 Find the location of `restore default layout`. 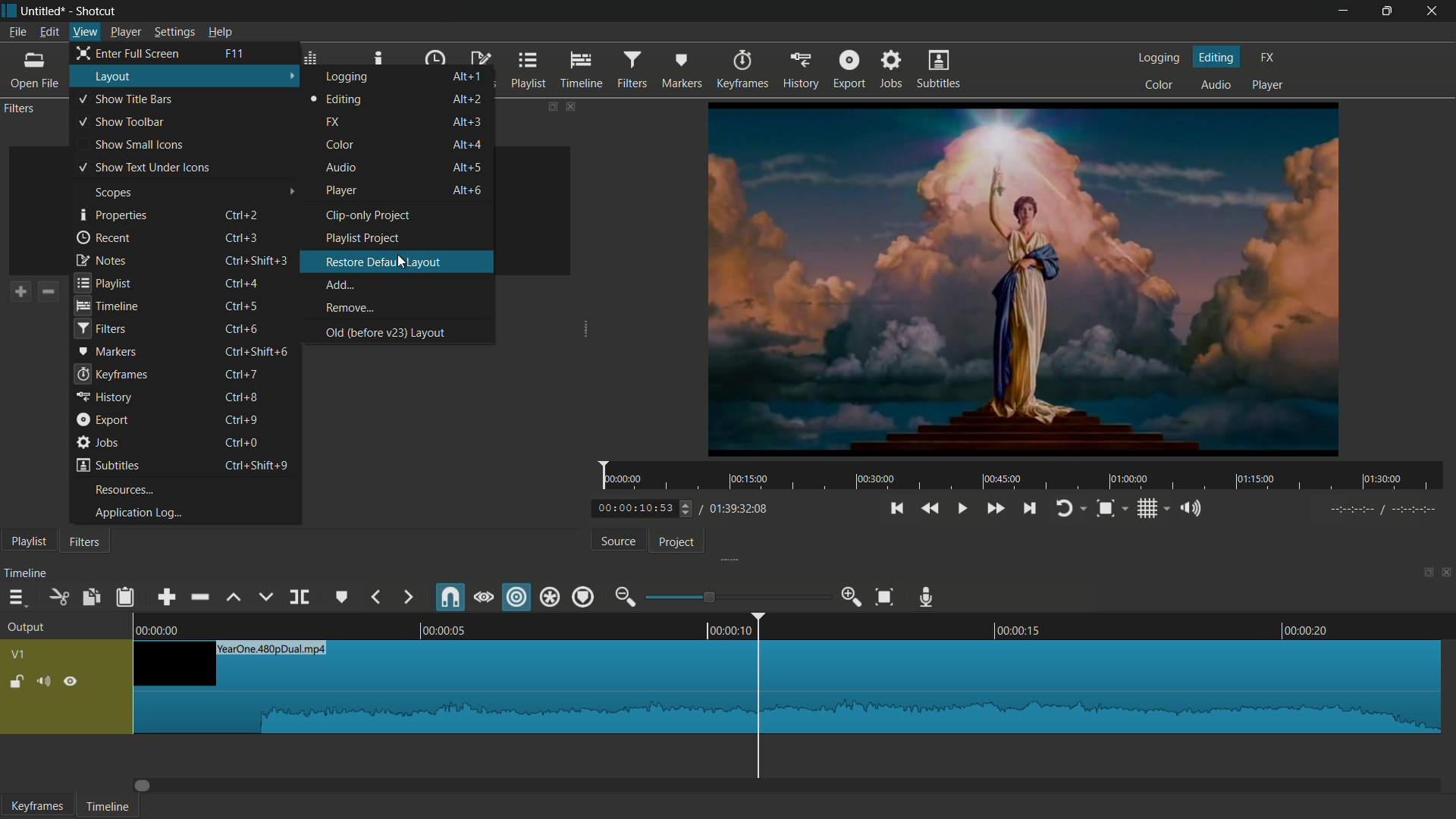

restore default layout is located at coordinates (381, 262).